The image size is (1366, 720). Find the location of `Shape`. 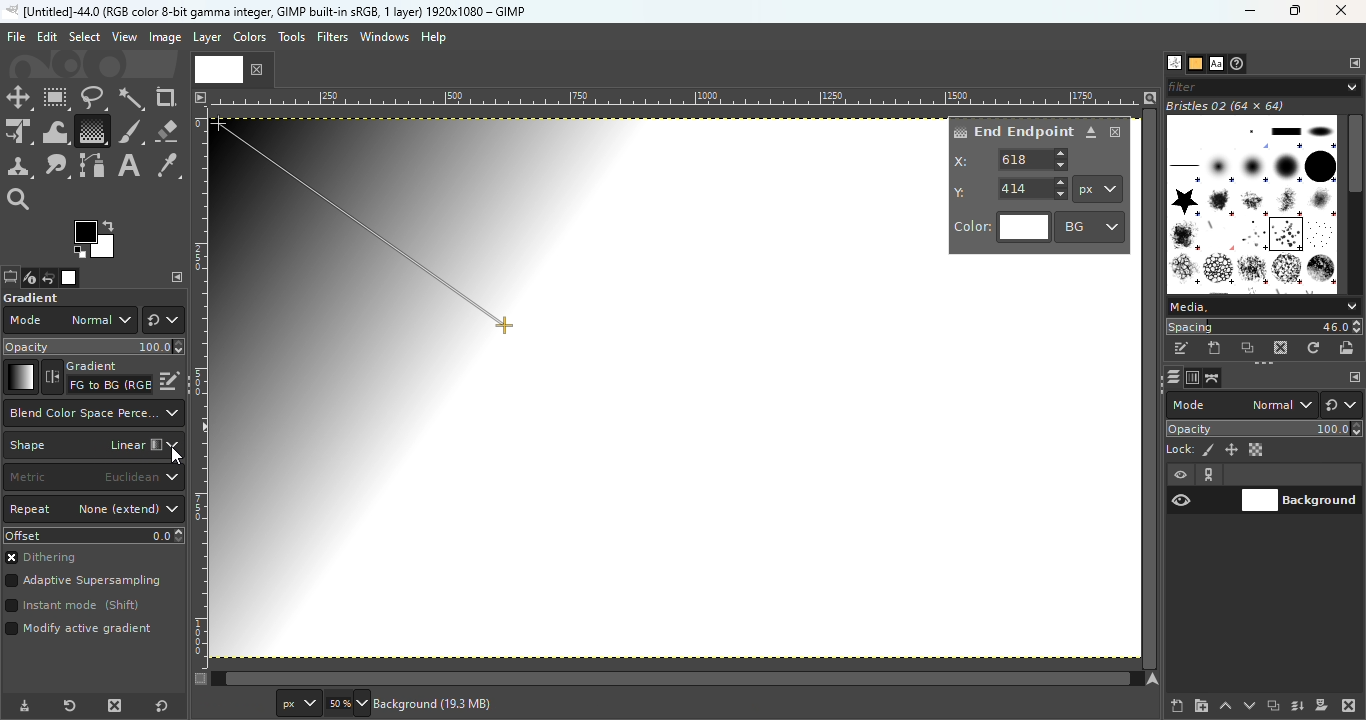

Shape is located at coordinates (91, 446).